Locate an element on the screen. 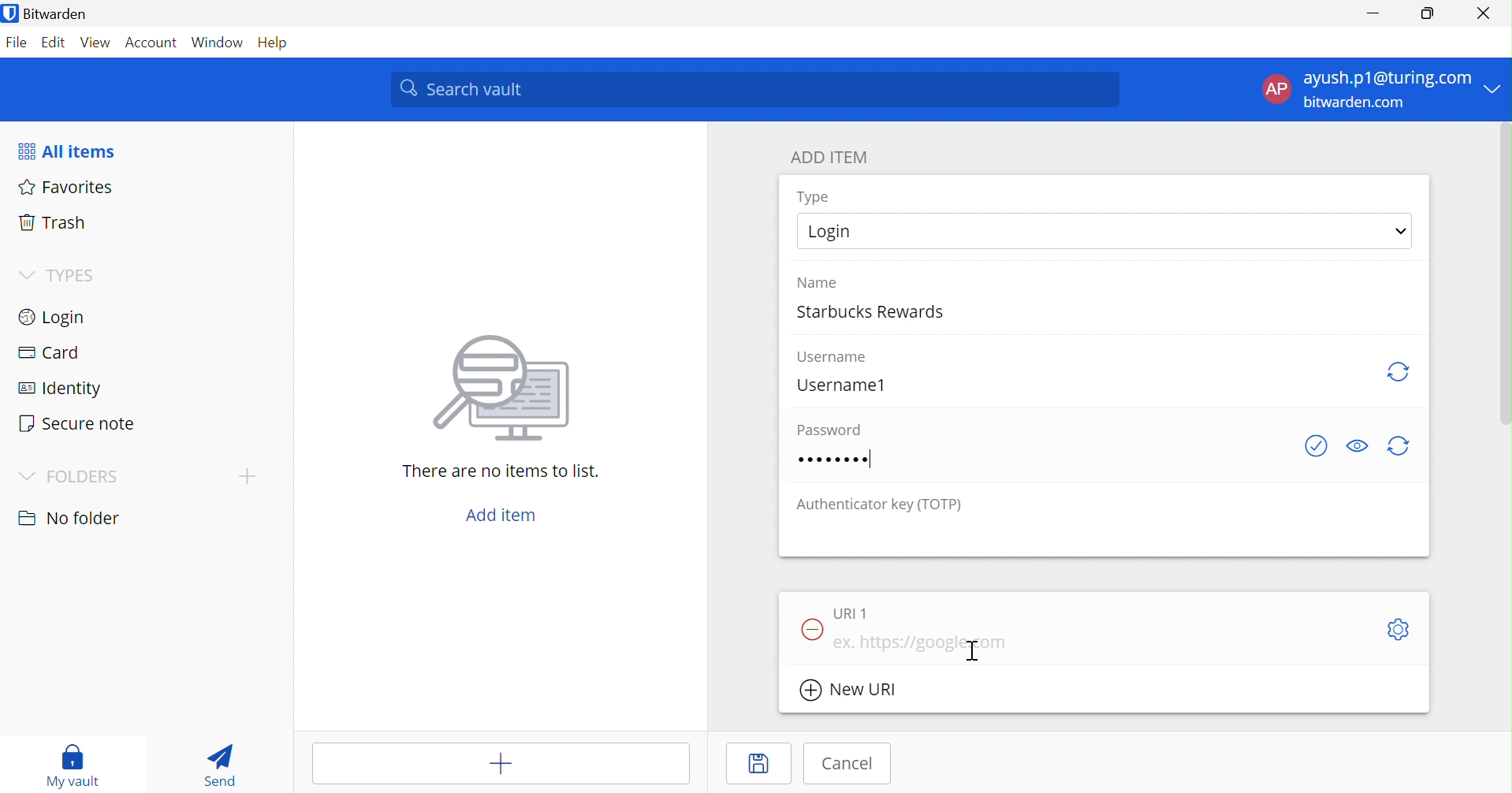 The width and height of the screenshot is (1512, 793). Drop Down is located at coordinates (1496, 87).